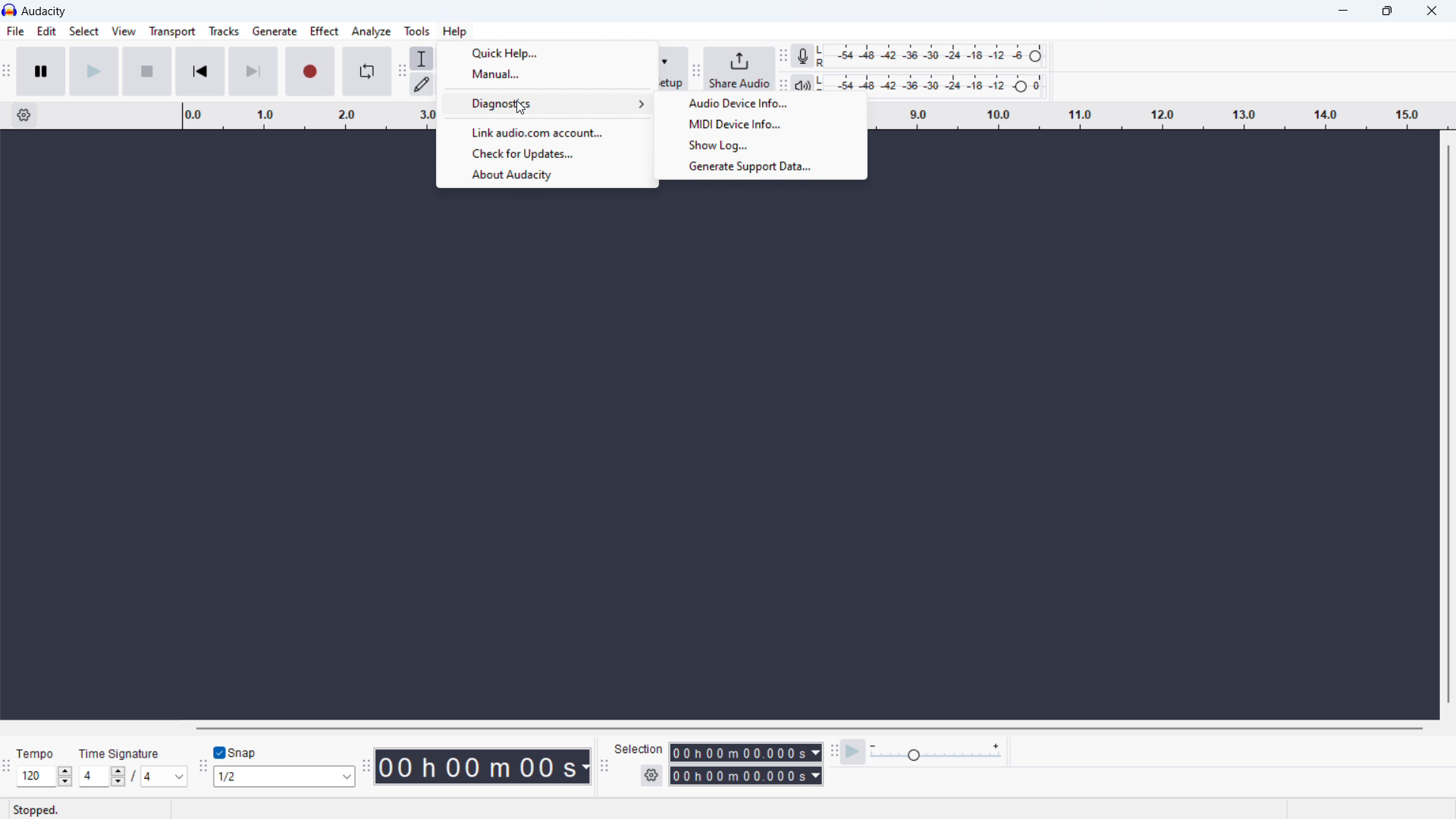 This screenshot has width=1456, height=819. I want to click on check for updates, so click(548, 155).